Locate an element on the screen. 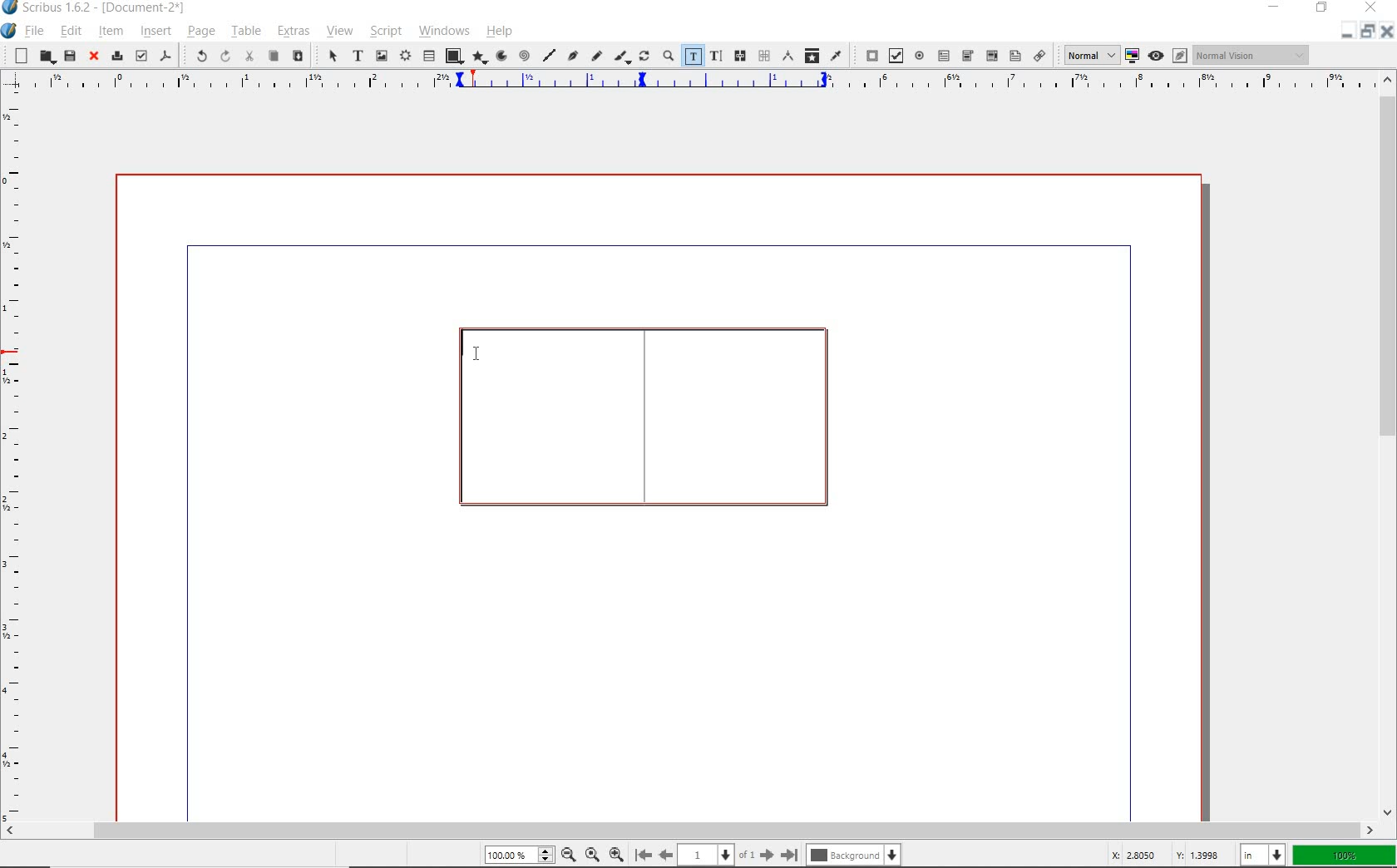 Image resolution: width=1397 pixels, height=868 pixels. zoom out is located at coordinates (568, 854).